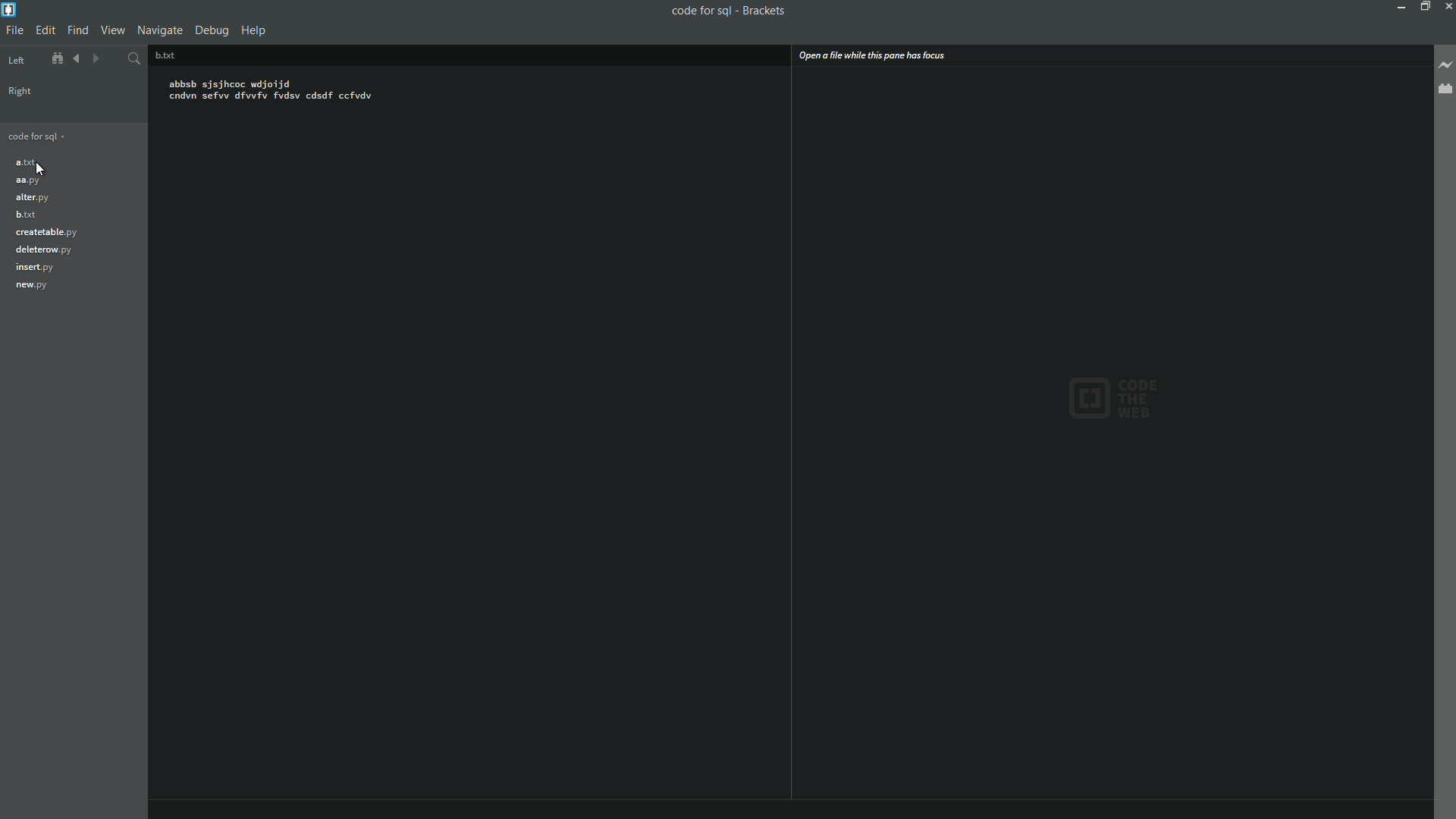 Image resolution: width=1456 pixels, height=819 pixels. I want to click on insert.py, so click(33, 267).